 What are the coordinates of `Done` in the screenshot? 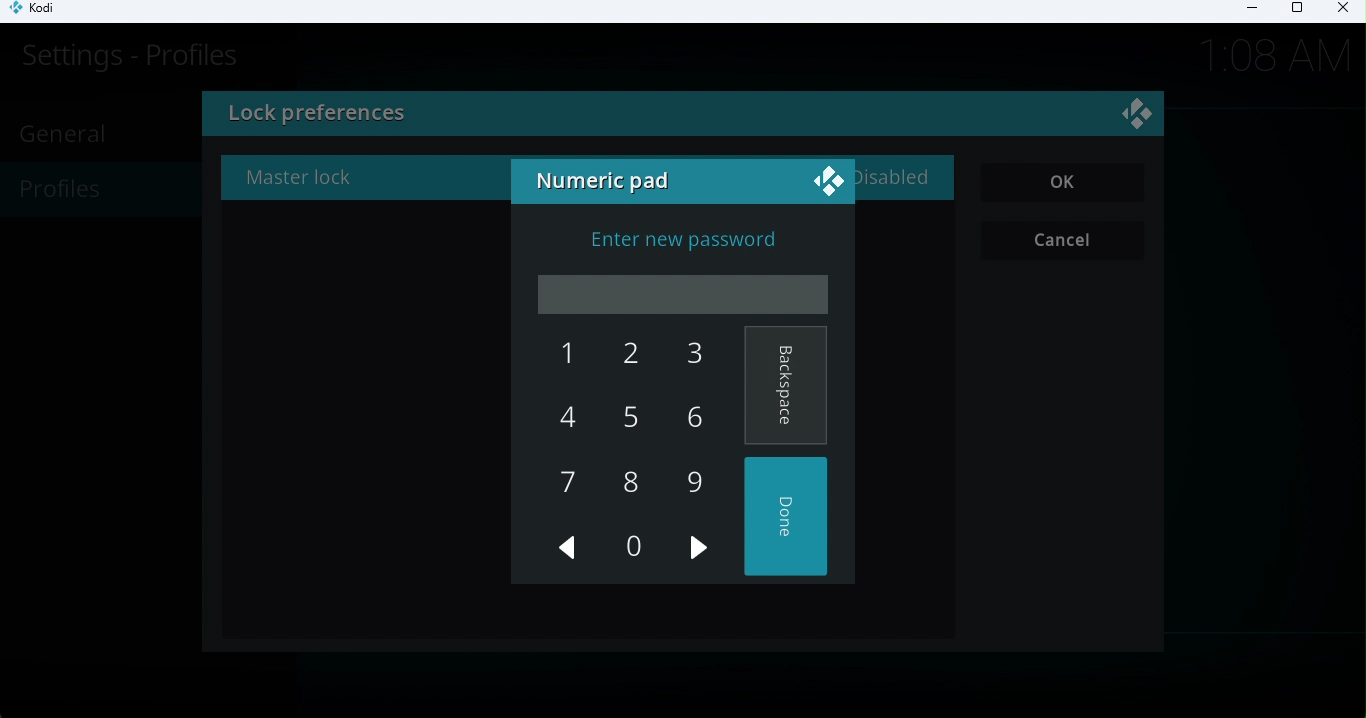 It's located at (789, 518).